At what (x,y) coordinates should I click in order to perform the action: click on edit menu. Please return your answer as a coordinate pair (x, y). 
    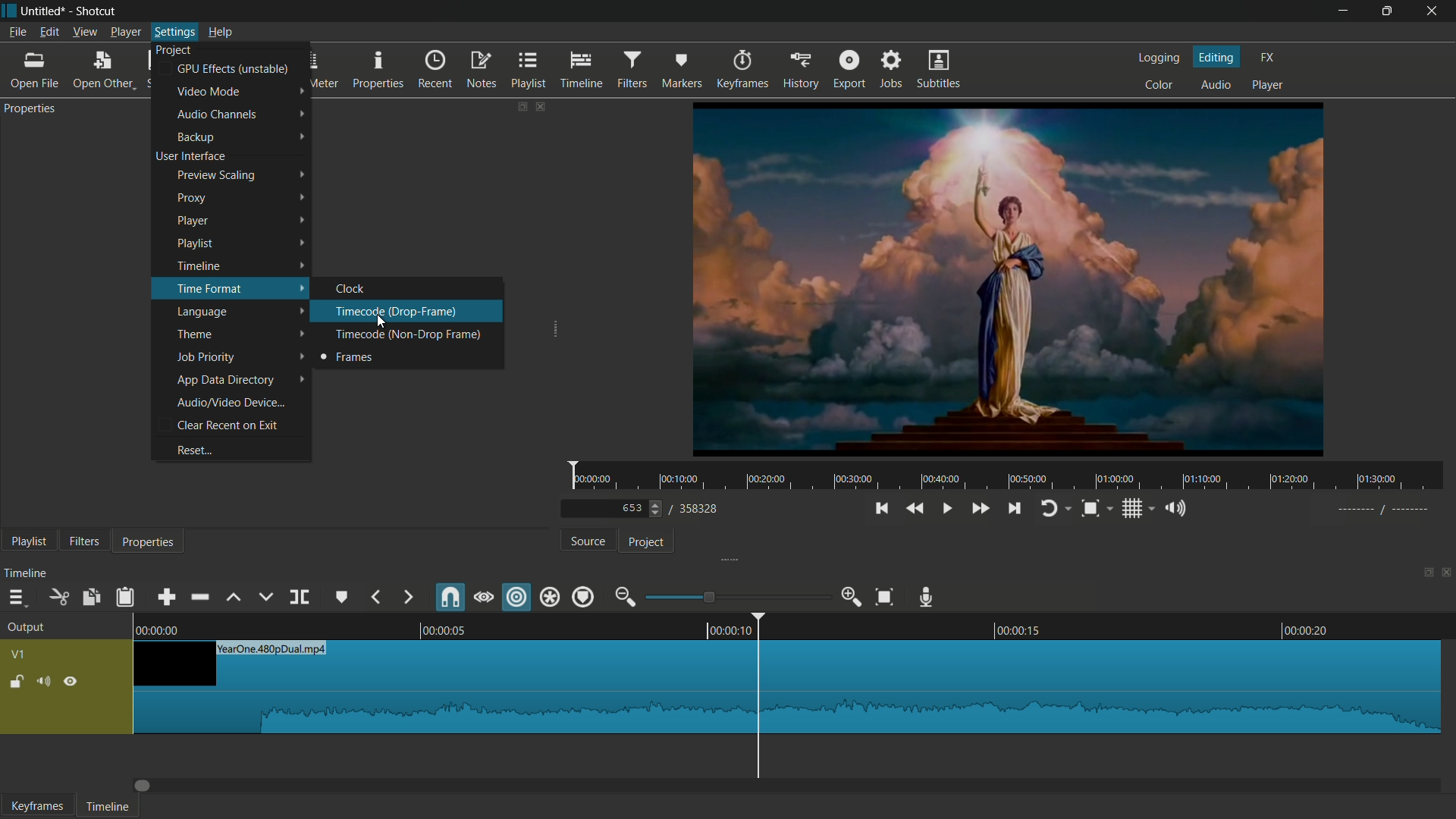
    Looking at the image, I should click on (49, 32).